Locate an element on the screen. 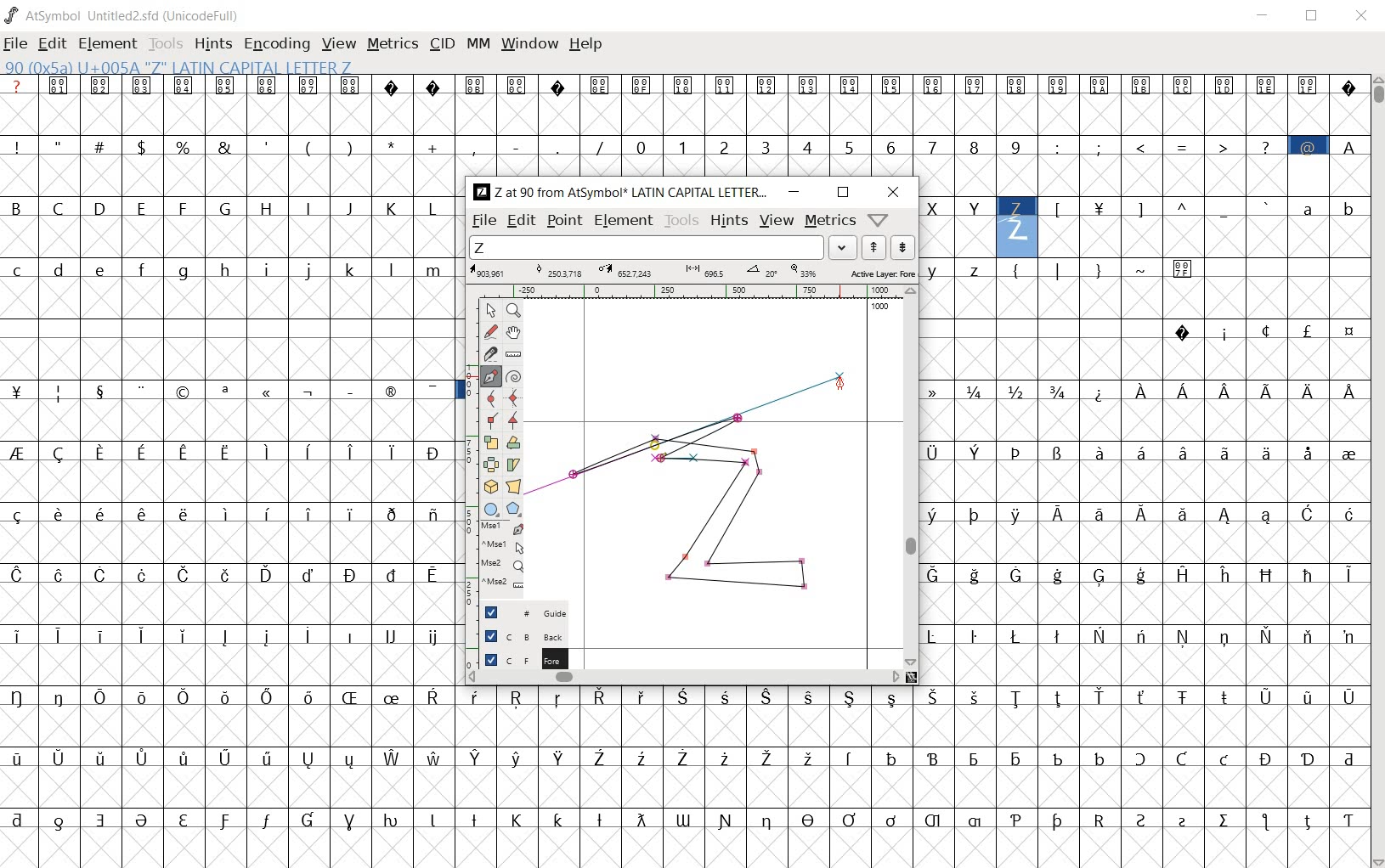 The width and height of the screenshot is (1385, 868). cut splines in two is located at coordinates (485, 354).